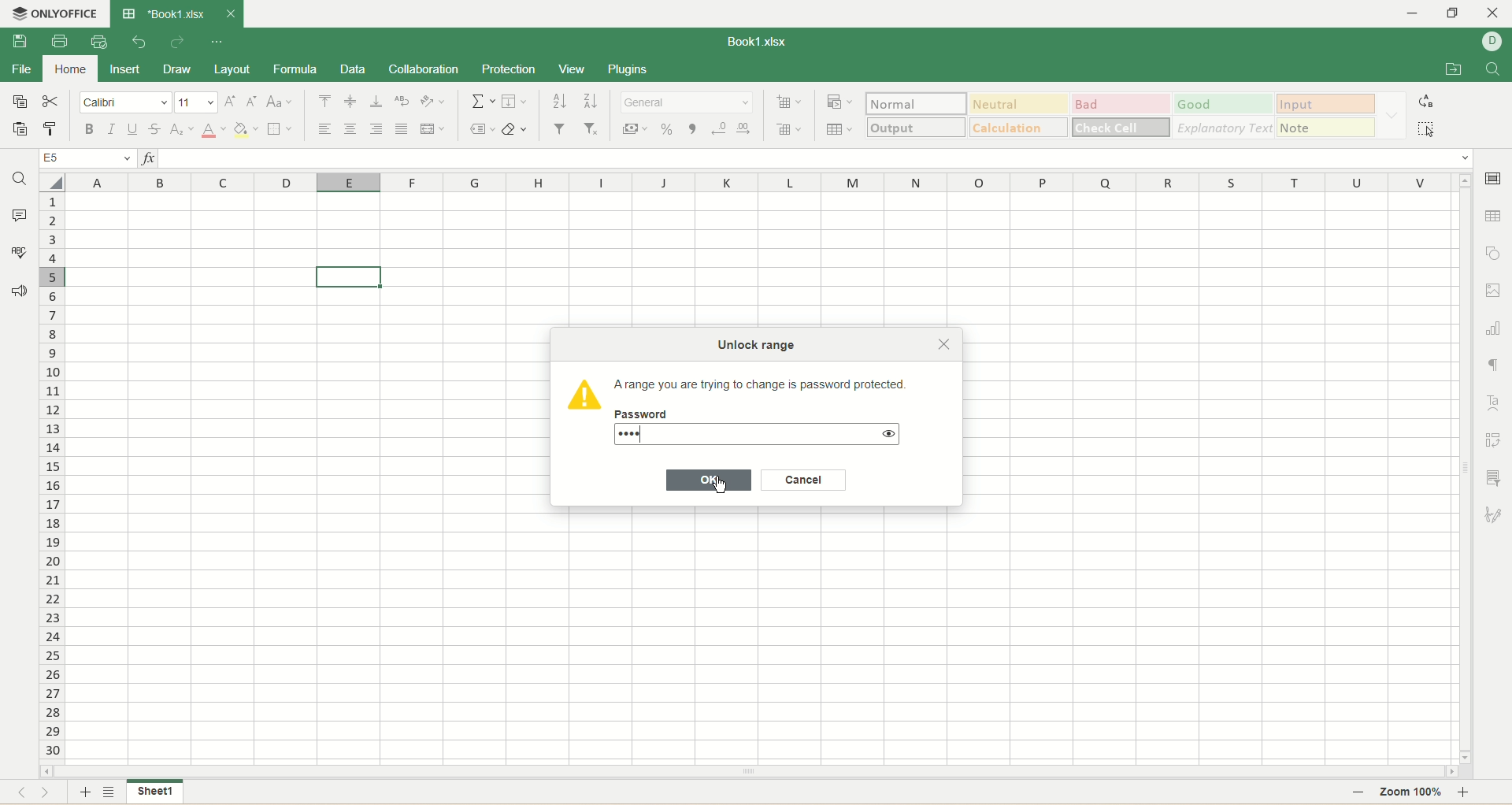 Image resolution: width=1512 pixels, height=805 pixels. I want to click on username, so click(1492, 44).